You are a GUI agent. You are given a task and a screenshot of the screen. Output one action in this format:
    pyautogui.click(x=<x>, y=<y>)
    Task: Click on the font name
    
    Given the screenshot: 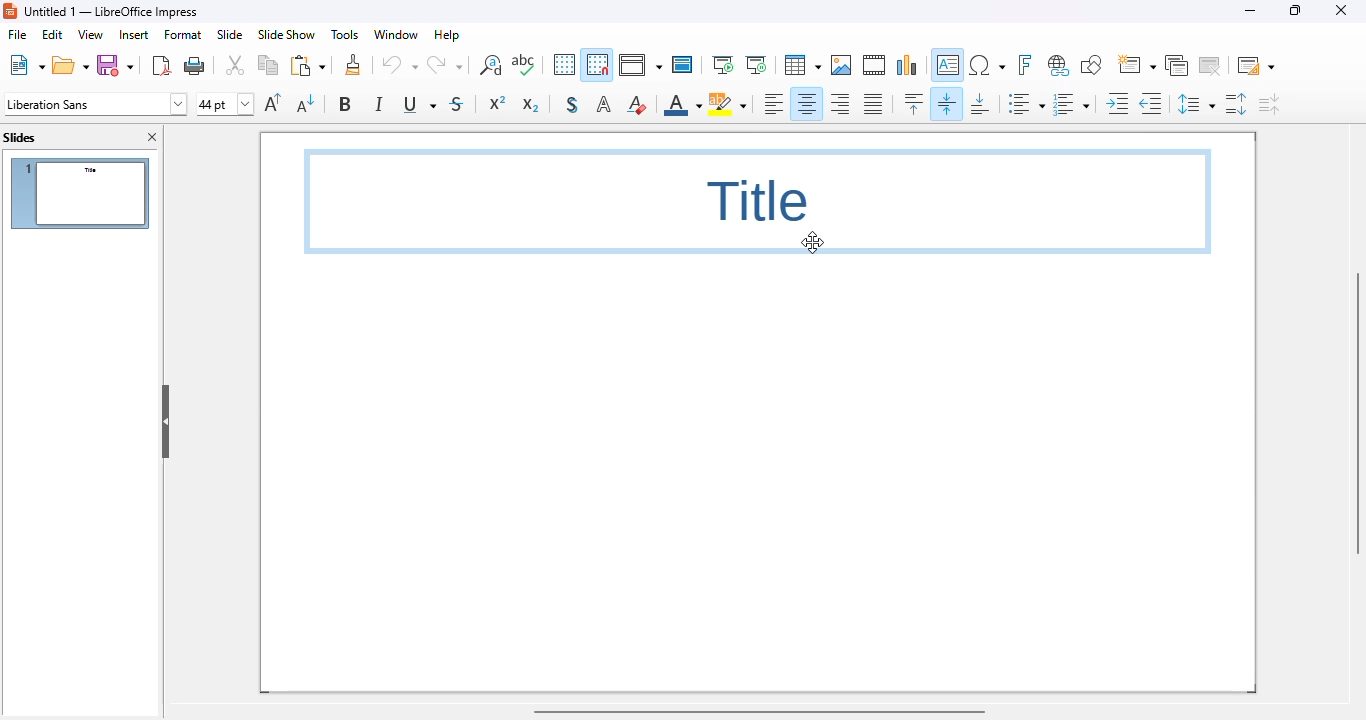 What is the action you would take?
    pyautogui.click(x=96, y=103)
    